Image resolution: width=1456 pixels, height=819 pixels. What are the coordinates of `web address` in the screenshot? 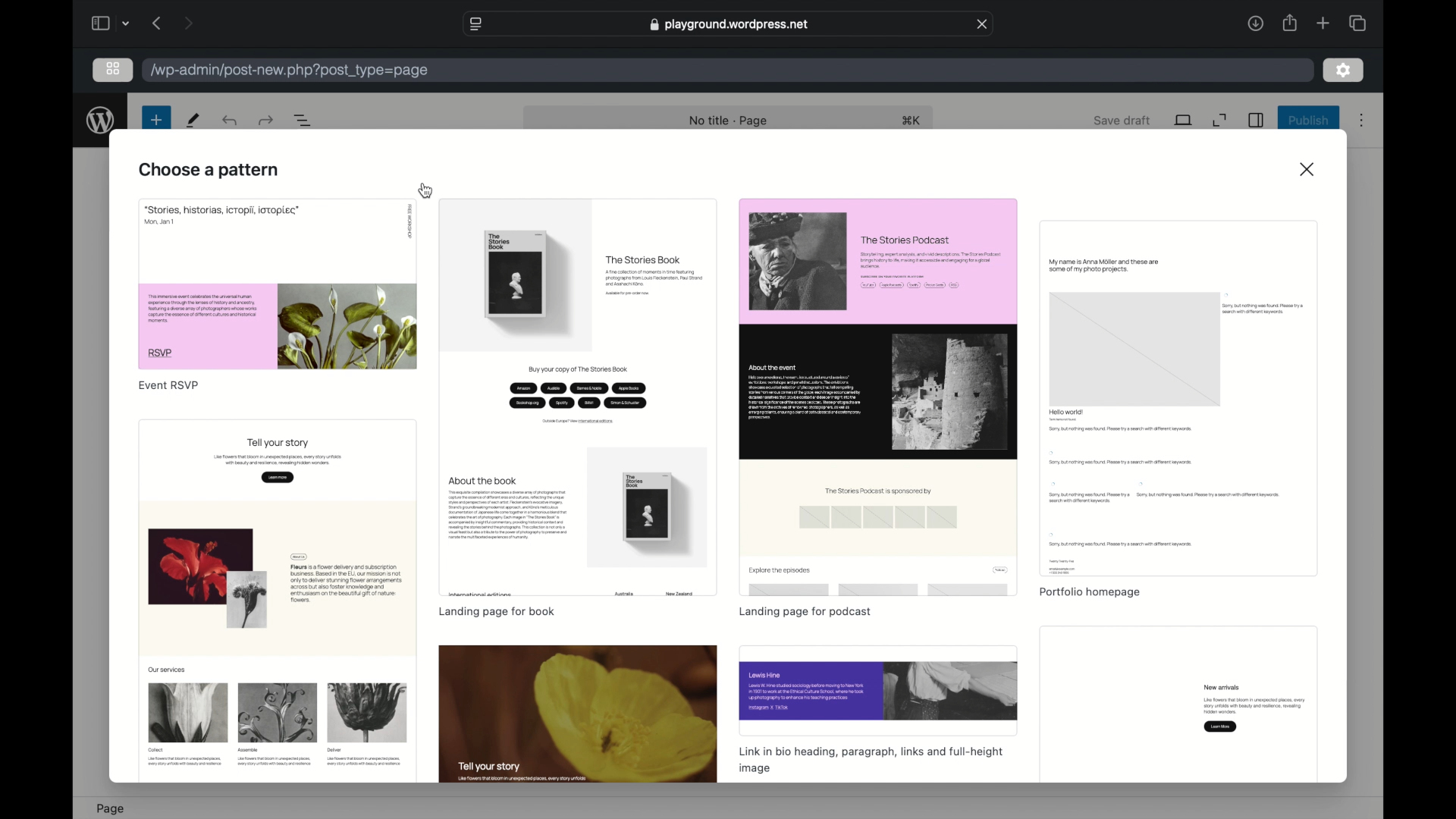 It's located at (731, 24).